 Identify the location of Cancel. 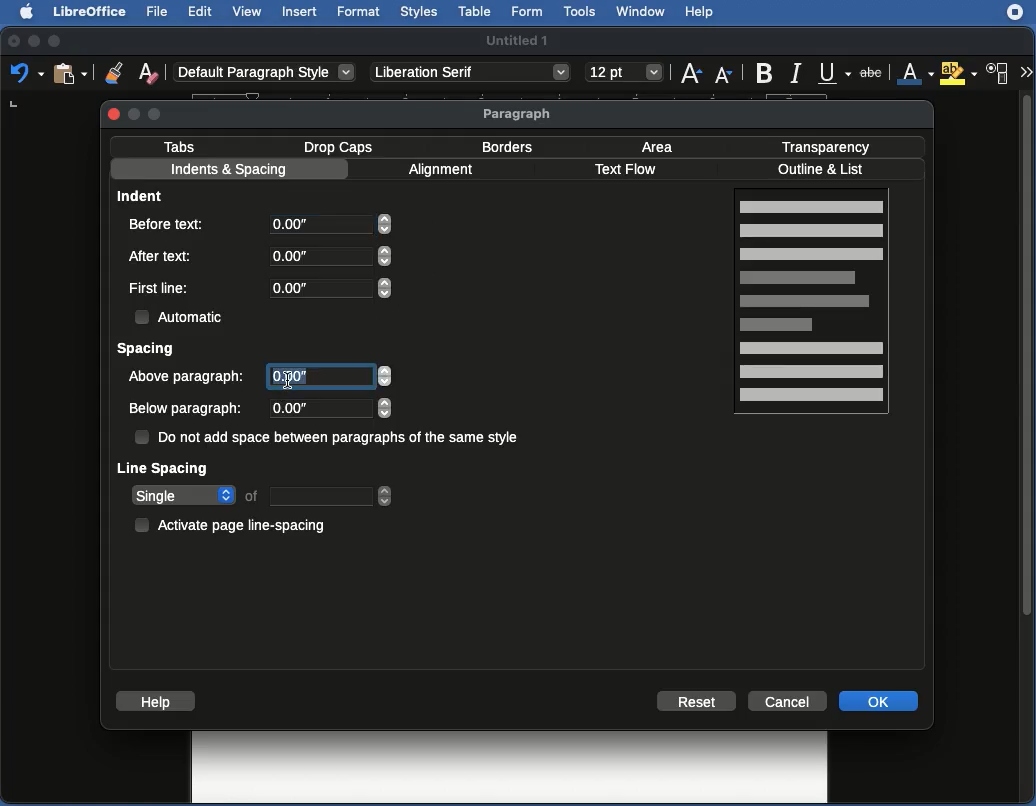
(789, 700).